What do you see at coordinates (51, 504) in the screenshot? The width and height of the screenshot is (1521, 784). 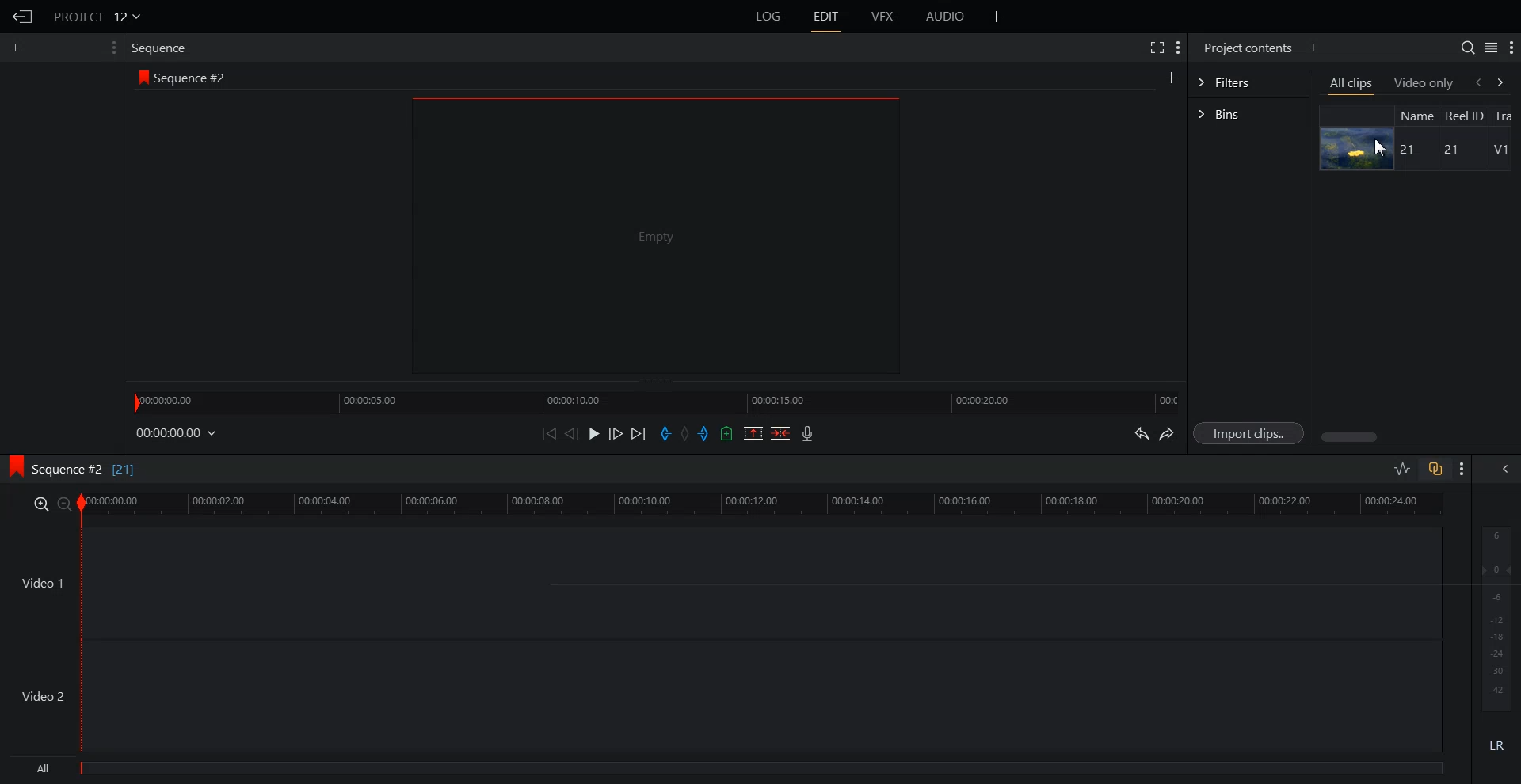 I see `Zoom in and Out` at bounding box center [51, 504].